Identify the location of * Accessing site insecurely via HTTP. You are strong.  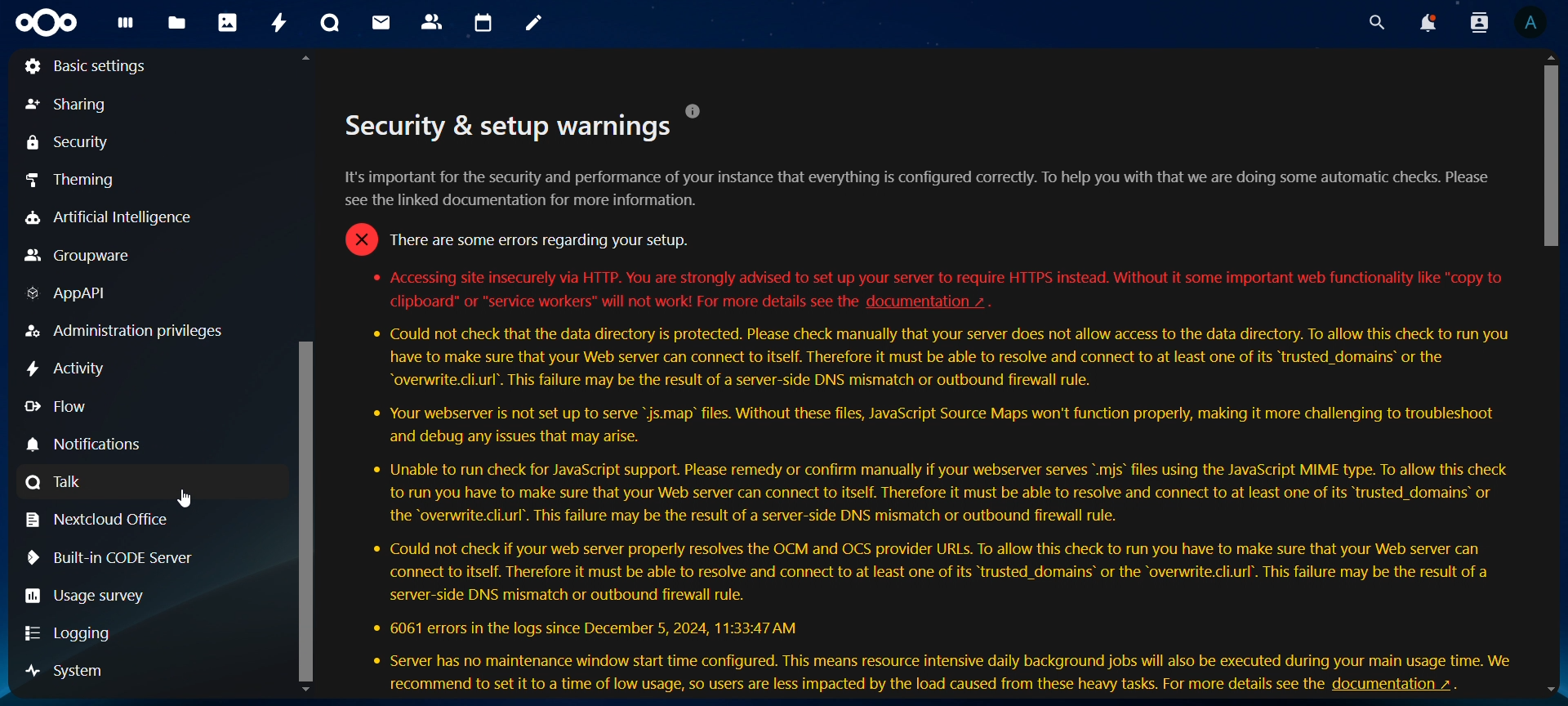
(520, 239).